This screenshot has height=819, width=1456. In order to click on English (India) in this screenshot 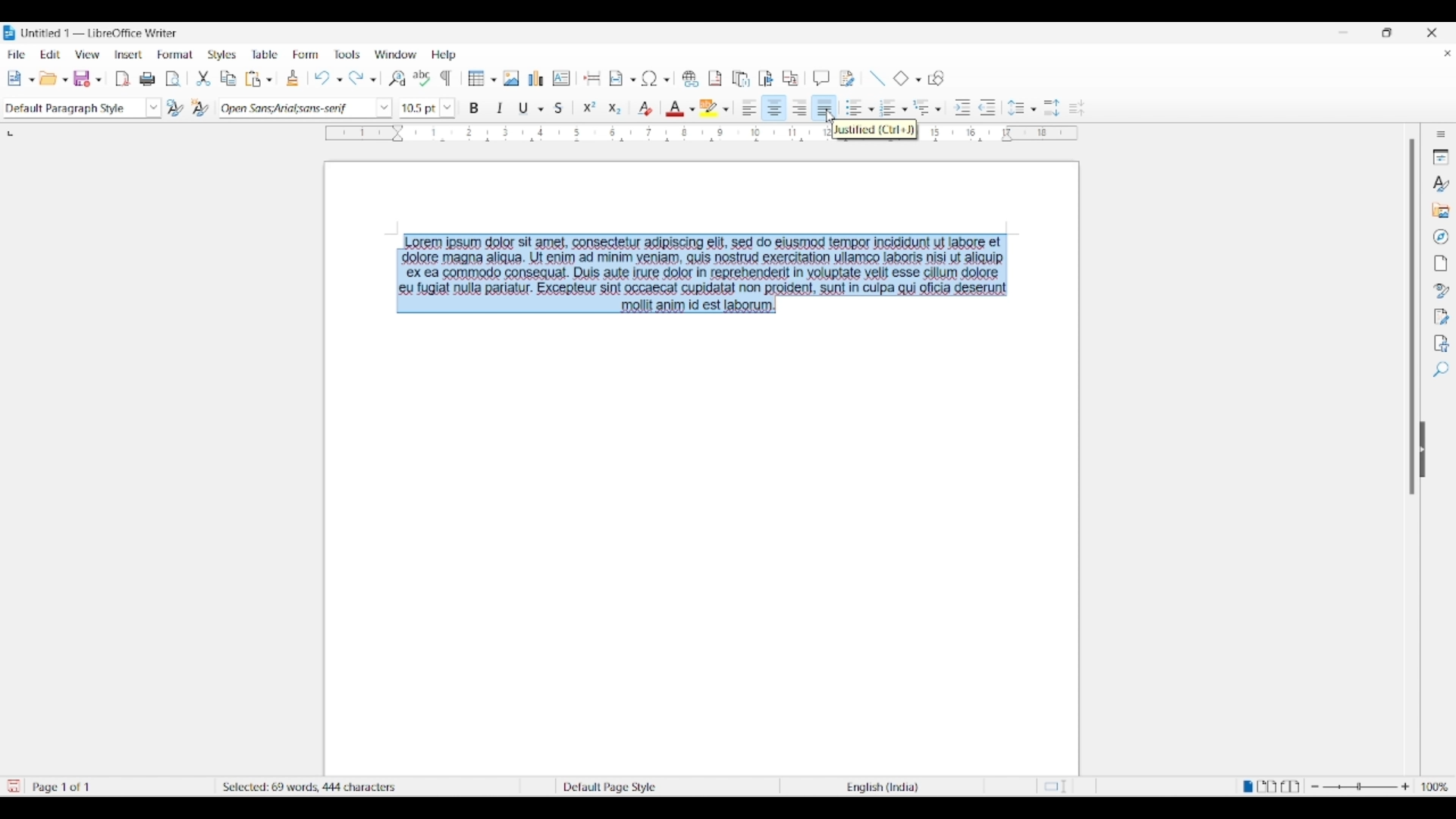, I will do `click(890, 787)`.